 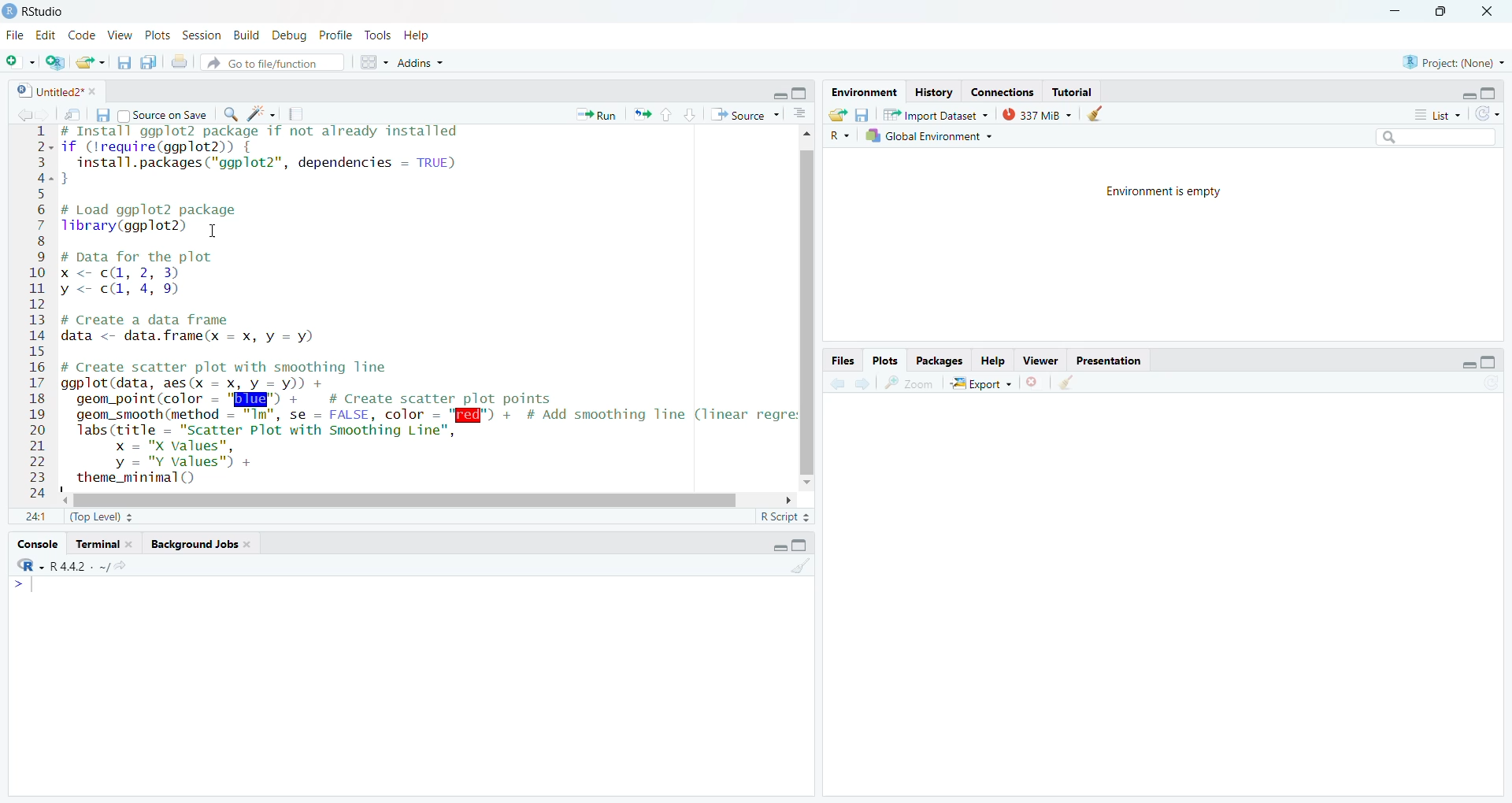 What do you see at coordinates (83, 568) in the screenshot?
I see `R - R442 . ~/` at bounding box center [83, 568].